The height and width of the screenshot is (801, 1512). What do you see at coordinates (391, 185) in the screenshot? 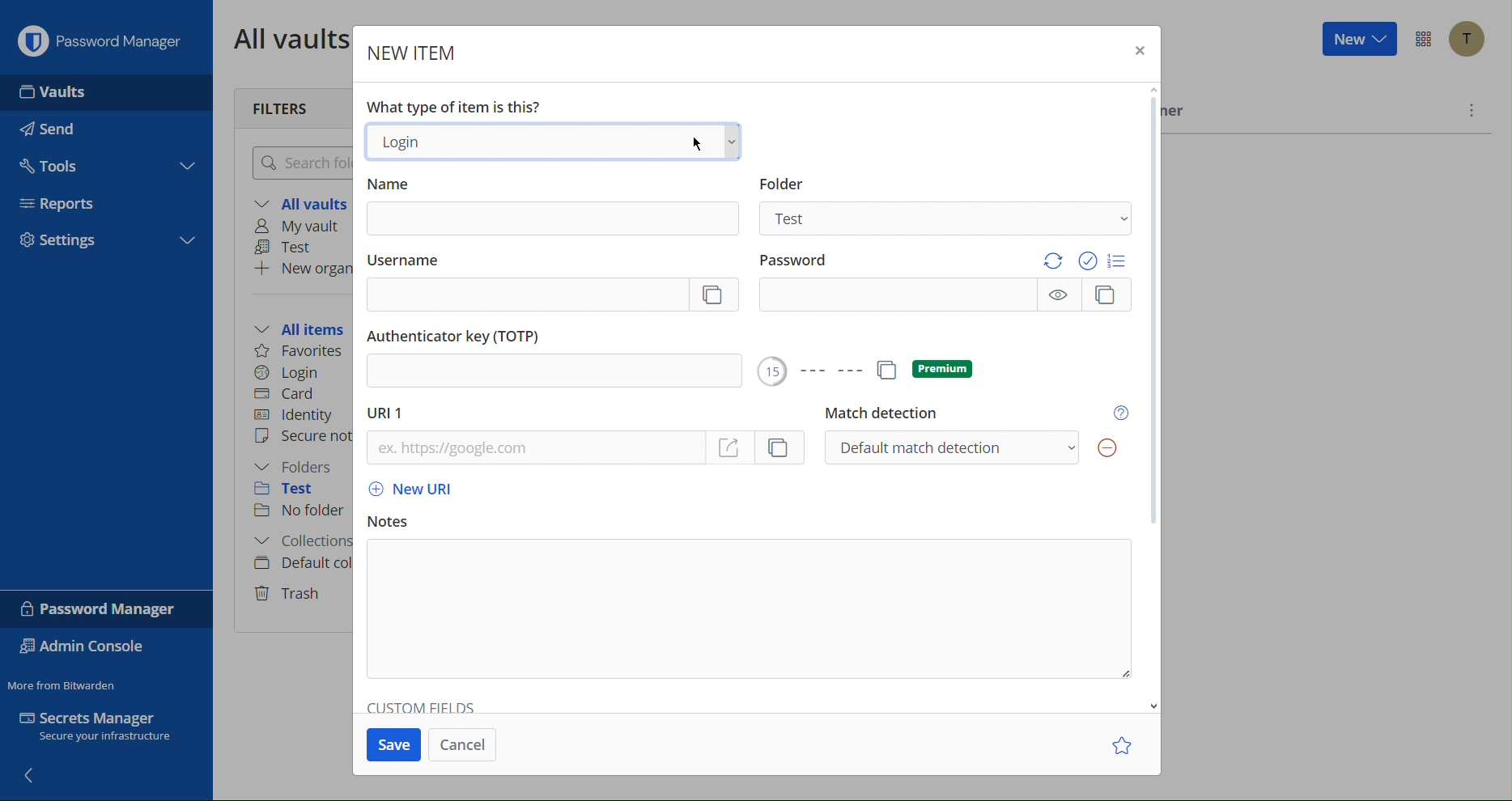
I see `Name` at bounding box center [391, 185].